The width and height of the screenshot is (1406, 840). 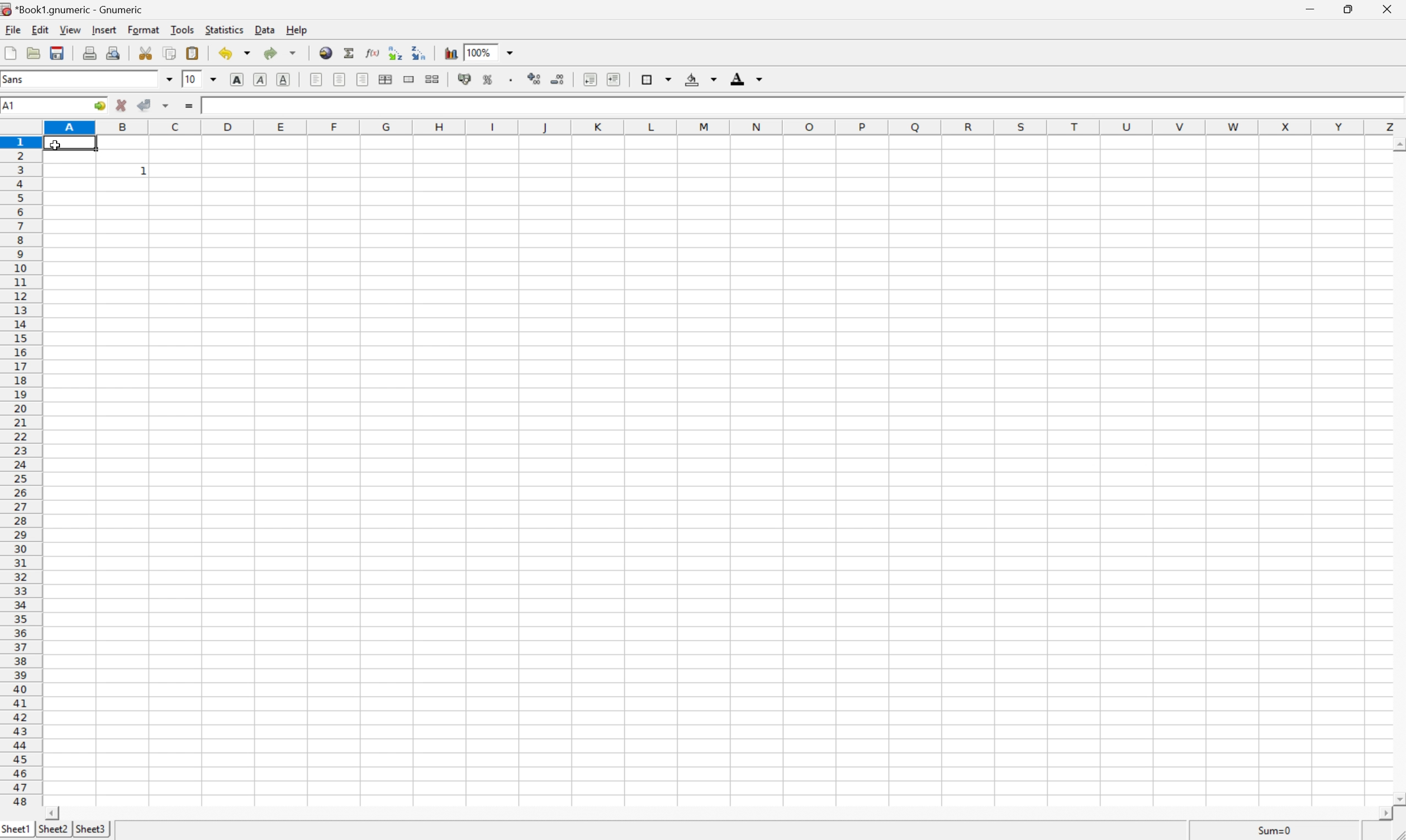 I want to click on go to, so click(x=100, y=106).